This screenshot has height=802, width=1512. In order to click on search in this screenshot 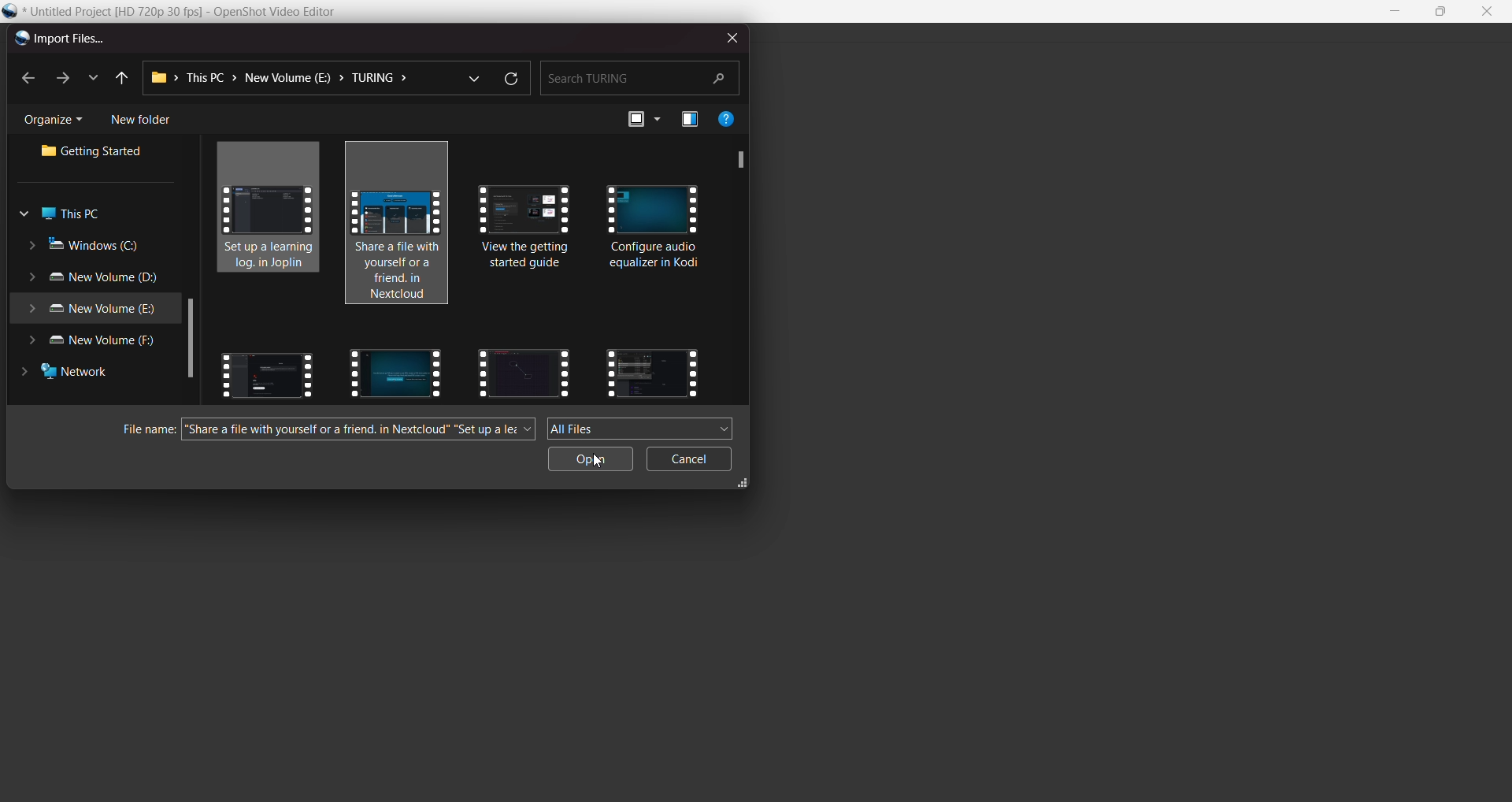, I will do `click(639, 76)`.